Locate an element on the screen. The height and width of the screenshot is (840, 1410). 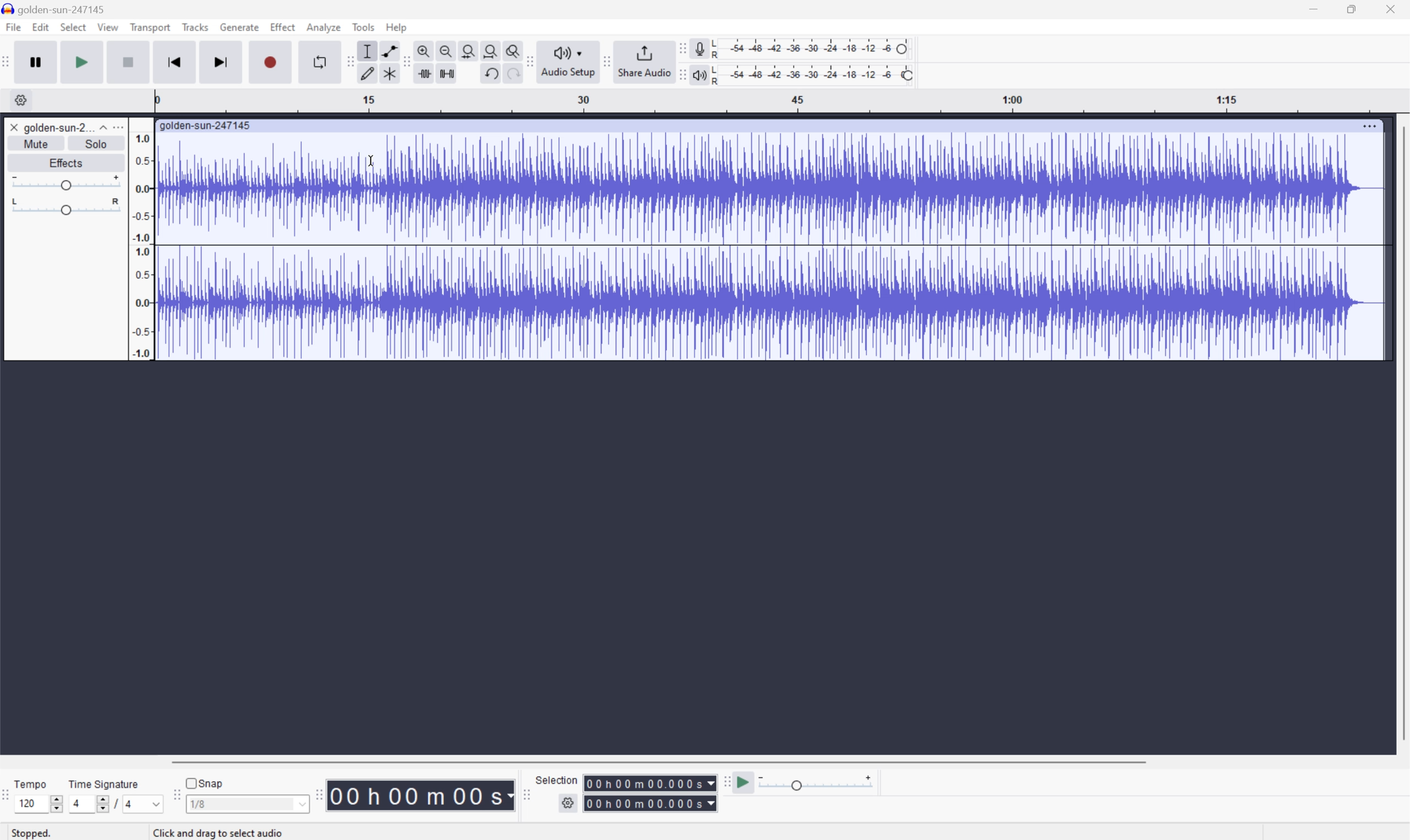
More is located at coordinates (121, 126).